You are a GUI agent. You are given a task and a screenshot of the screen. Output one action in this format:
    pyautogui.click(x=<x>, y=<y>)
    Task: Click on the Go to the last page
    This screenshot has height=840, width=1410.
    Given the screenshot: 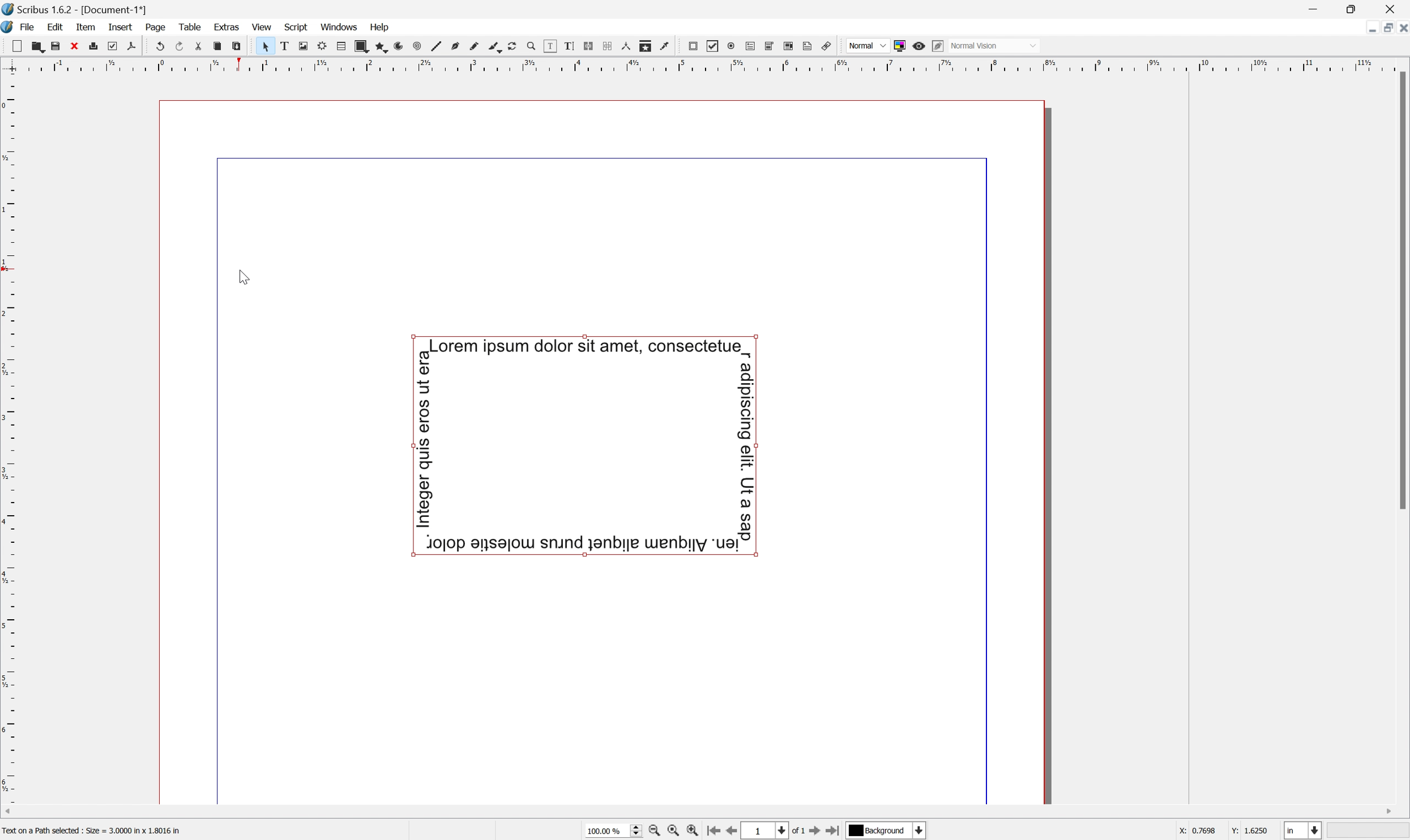 What is the action you would take?
    pyautogui.click(x=836, y=831)
    